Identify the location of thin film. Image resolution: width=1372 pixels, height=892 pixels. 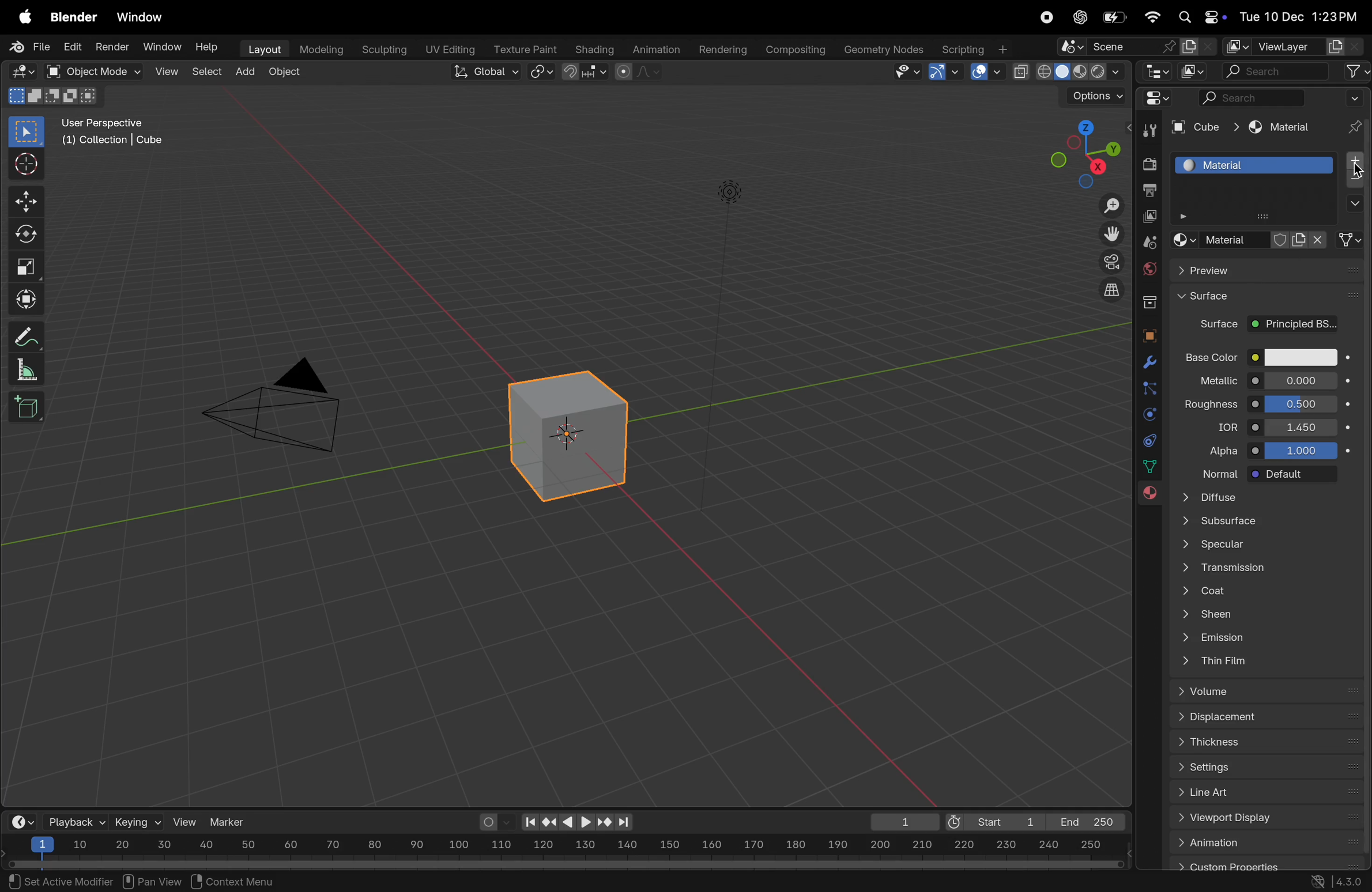
(1241, 660).